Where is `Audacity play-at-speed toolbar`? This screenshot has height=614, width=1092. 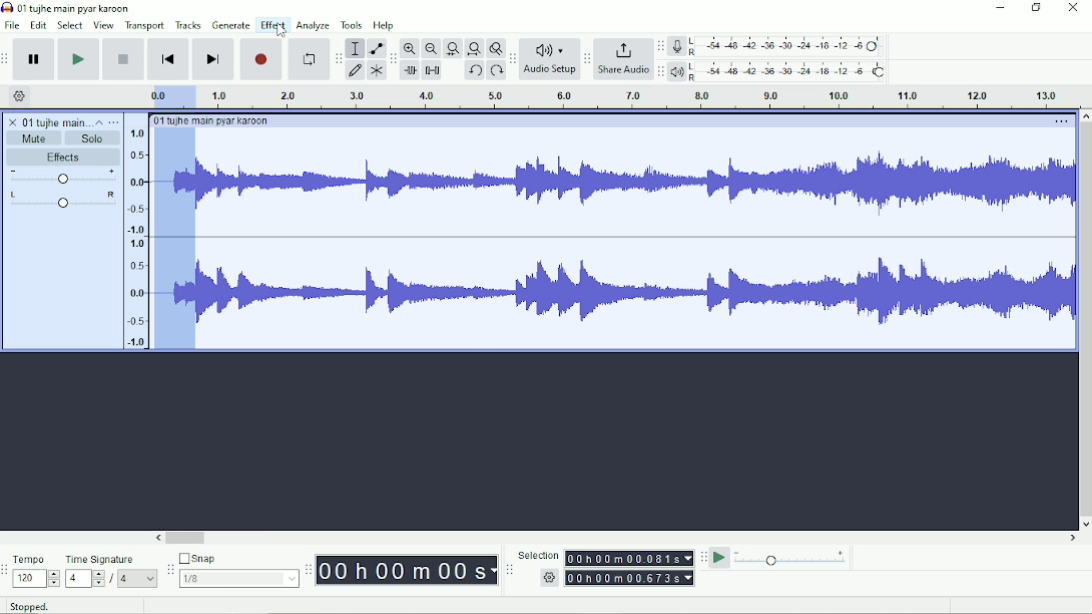 Audacity play-at-speed toolbar is located at coordinates (702, 557).